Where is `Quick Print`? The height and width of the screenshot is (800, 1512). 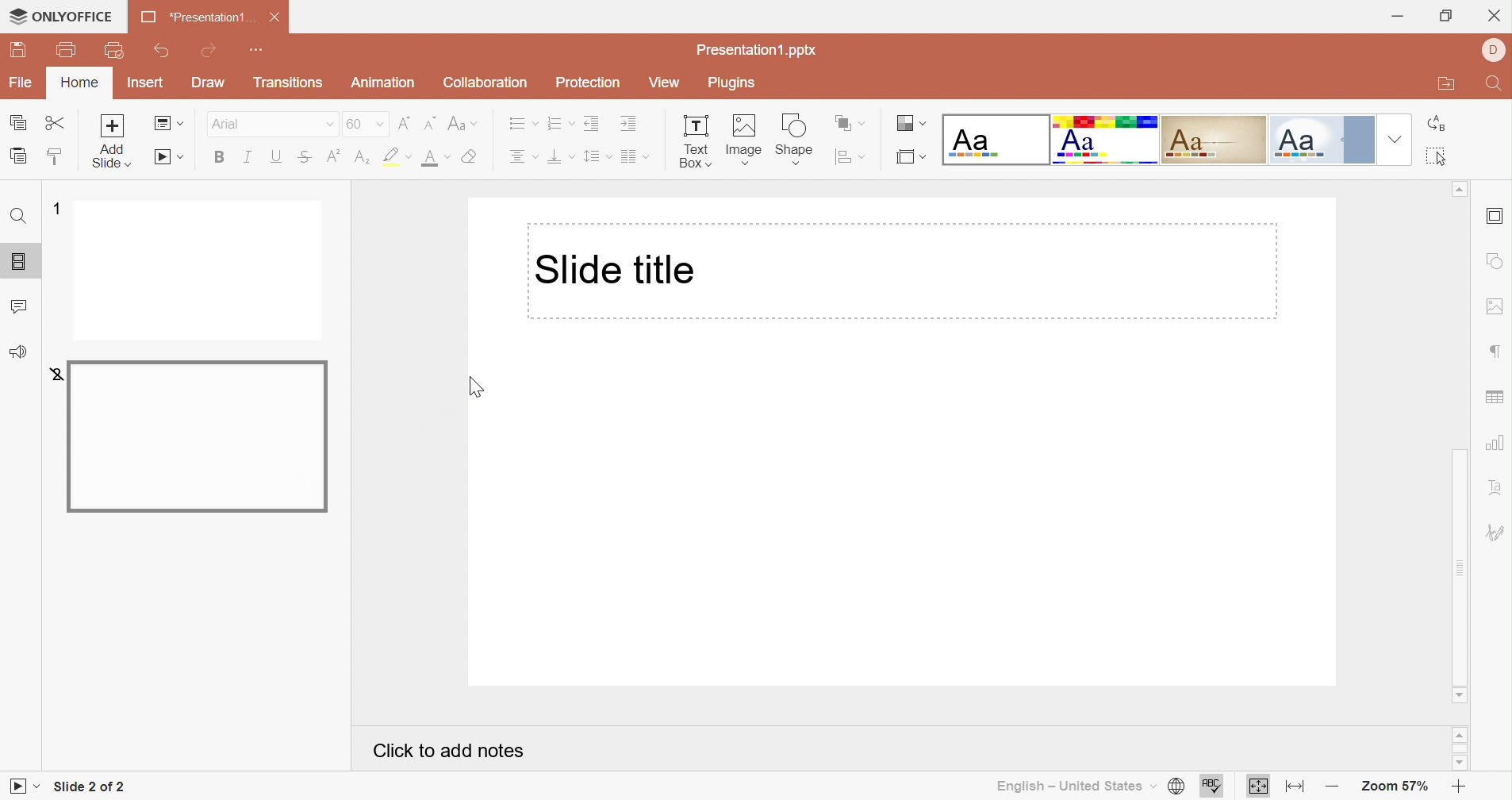 Quick Print is located at coordinates (114, 50).